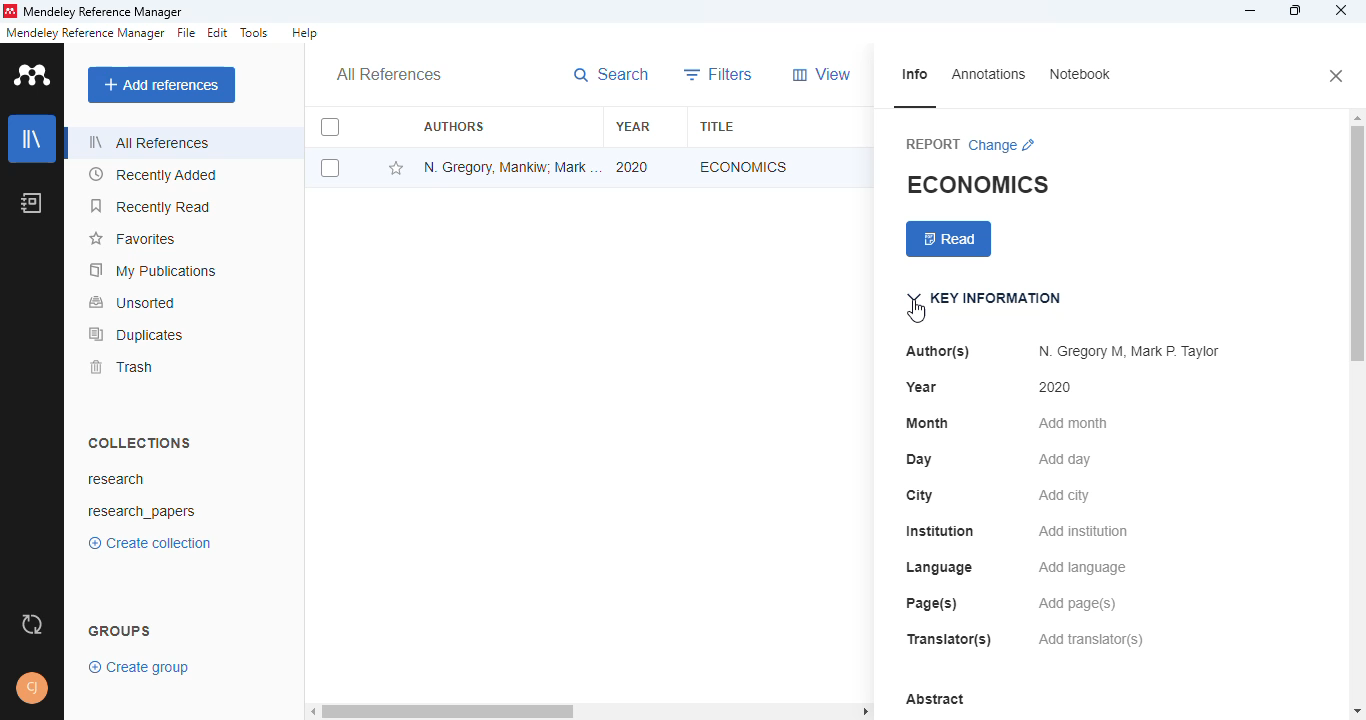  Describe the element at coordinates (989, 75) in the screenshot. I see `annotations` at that location.